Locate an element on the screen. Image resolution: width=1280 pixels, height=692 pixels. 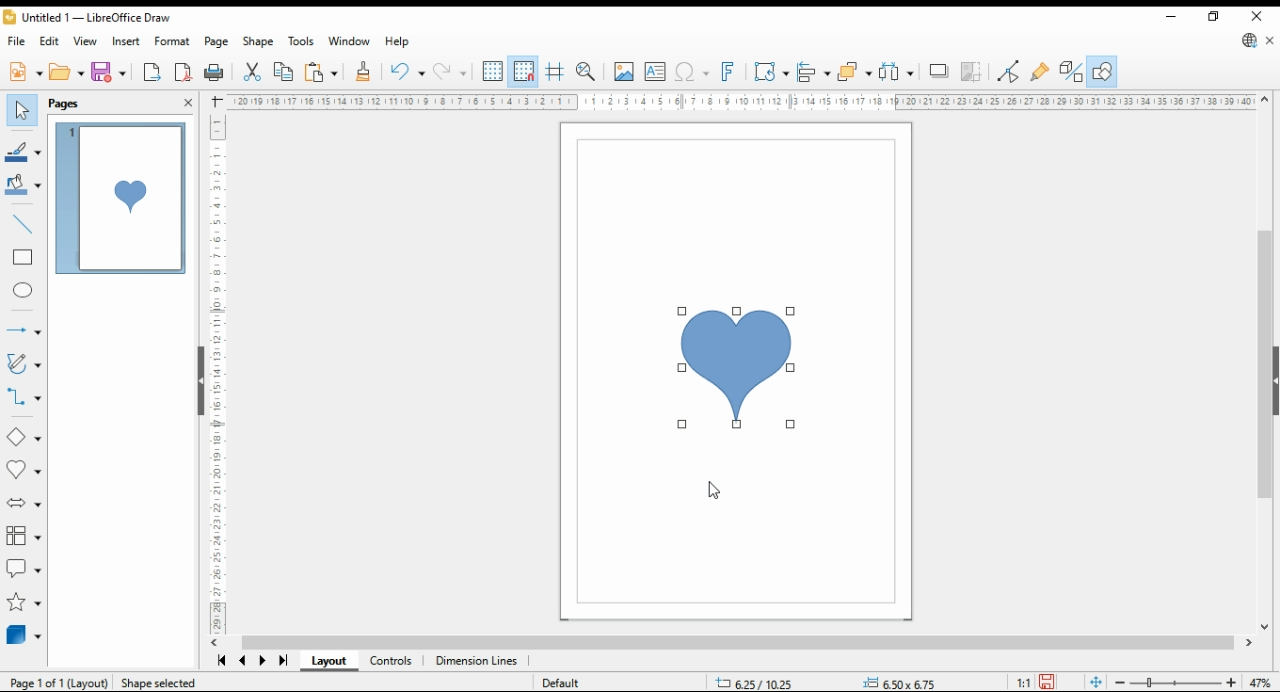
close window is located at coordinates (1256, 16).